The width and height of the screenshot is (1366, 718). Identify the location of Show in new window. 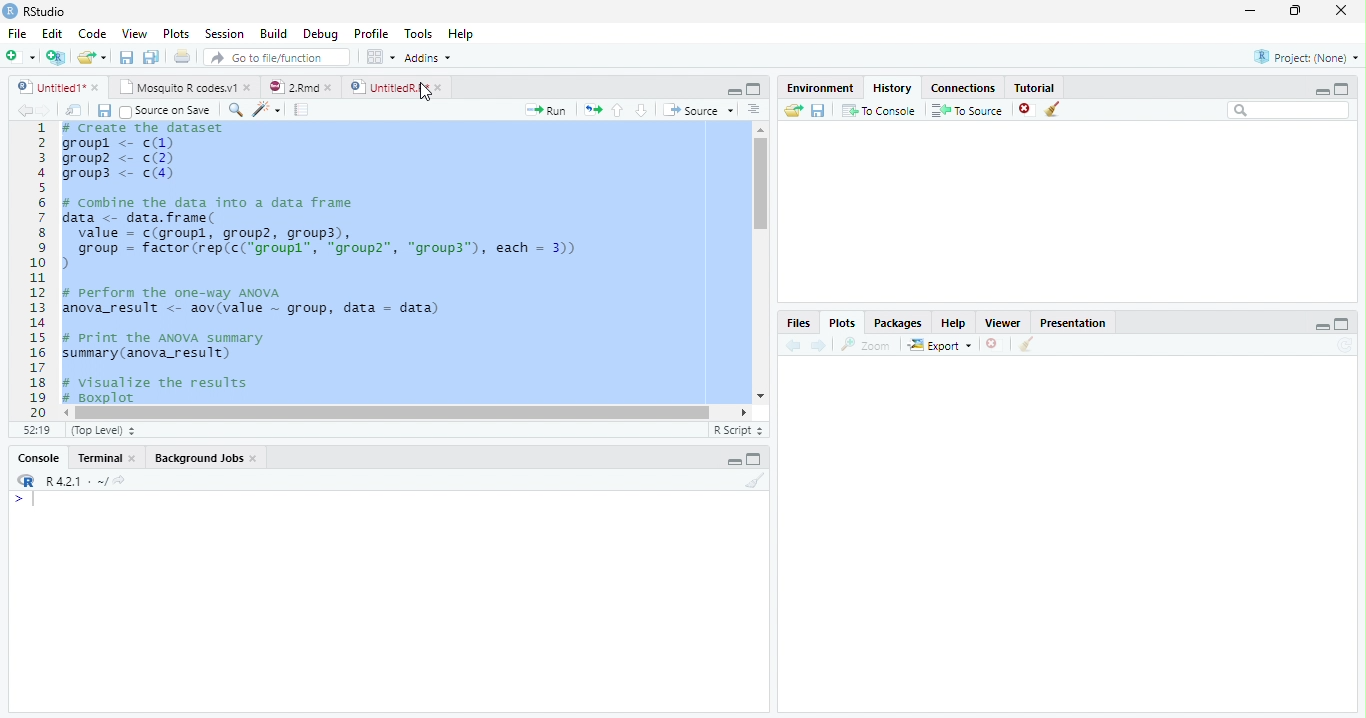
(77, 112).